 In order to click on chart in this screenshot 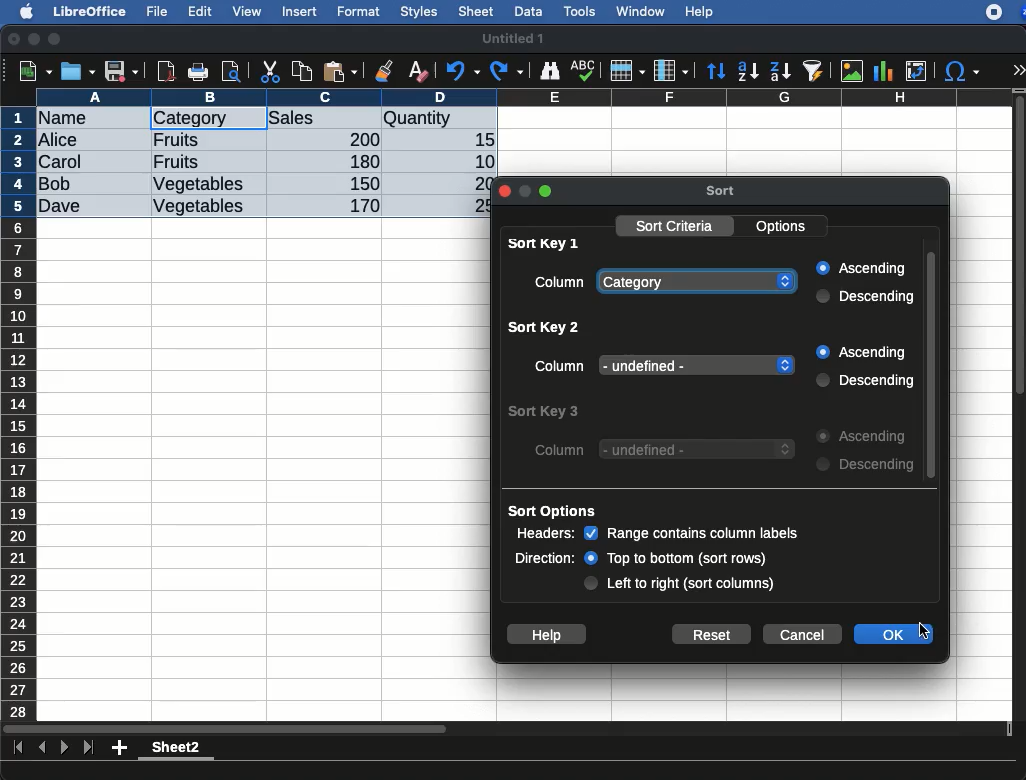, I will do `click(884, 71)`.